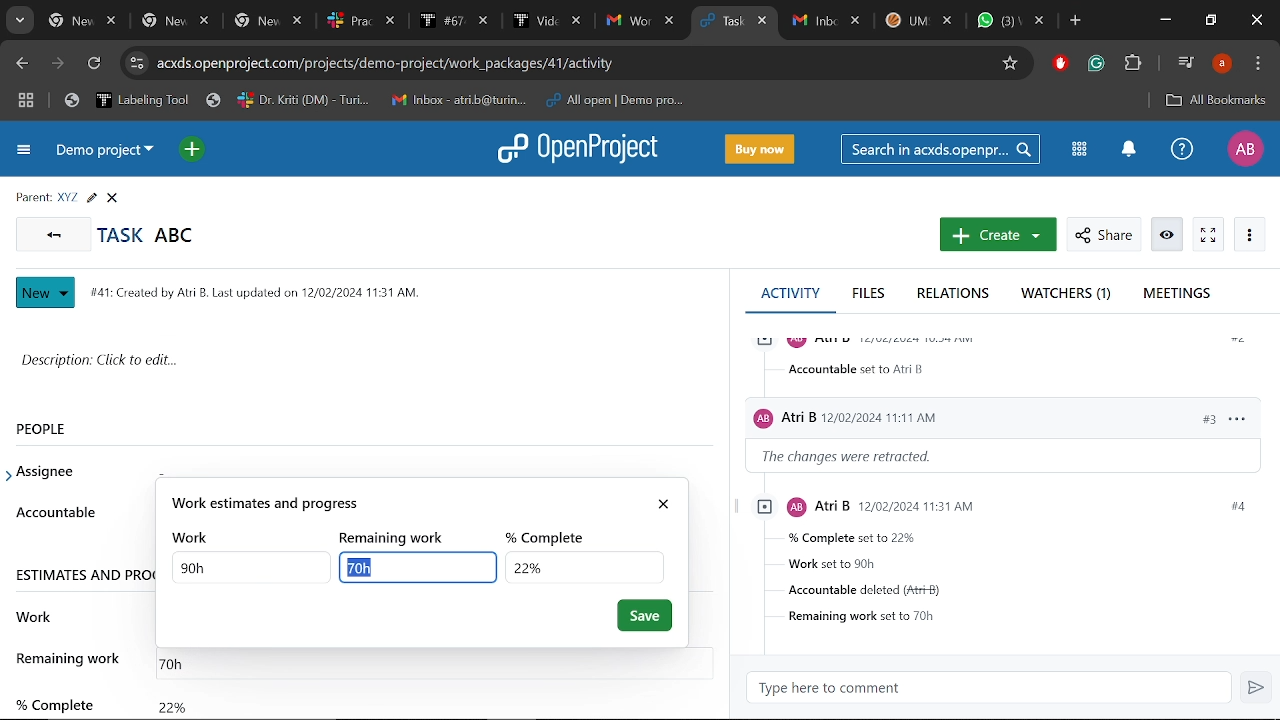 The image size is (1280, 720). Describe the element at coordinates (1061, 64) in the screenshot. I see `Addblock` at that location.